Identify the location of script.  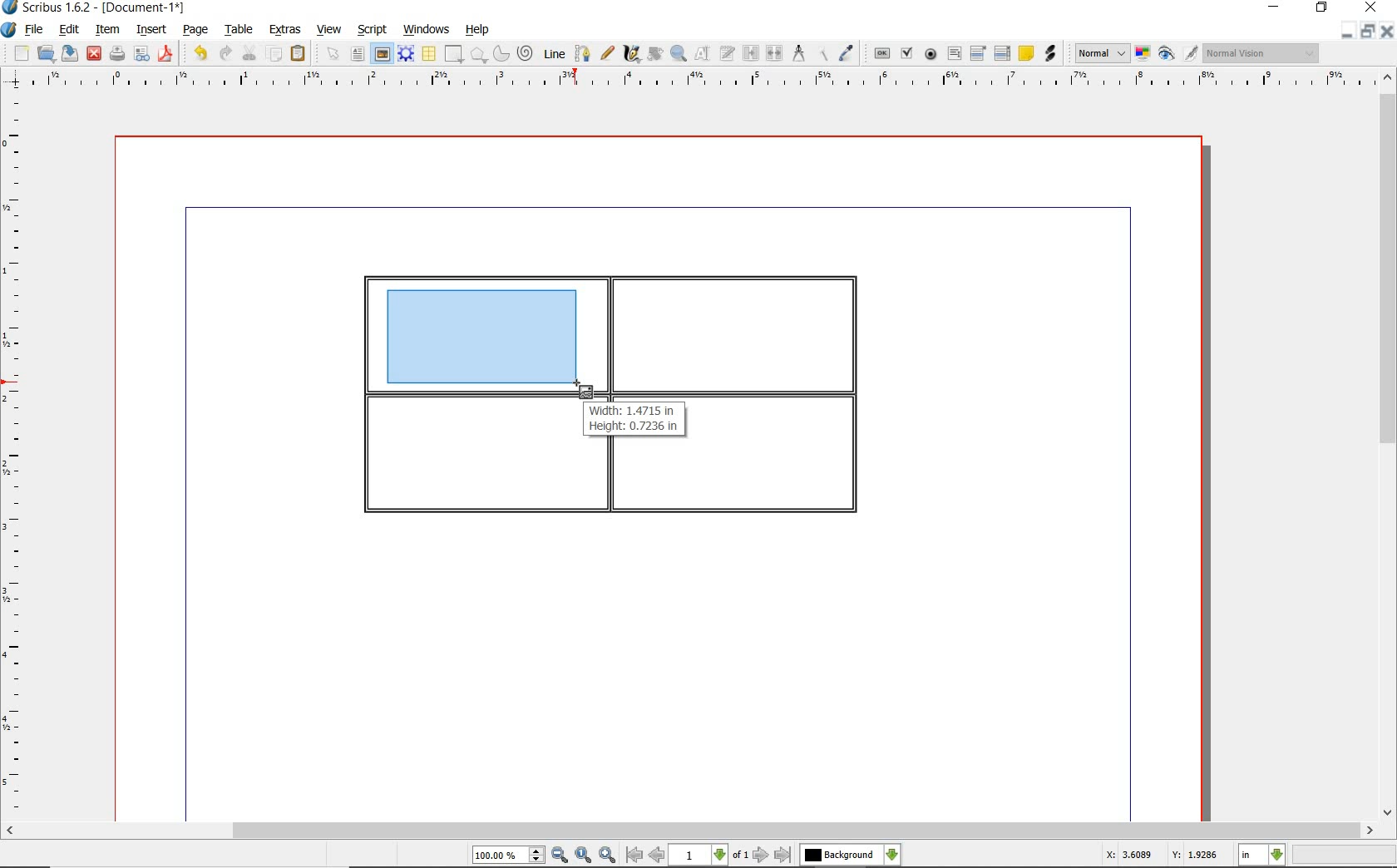
(373, 30).